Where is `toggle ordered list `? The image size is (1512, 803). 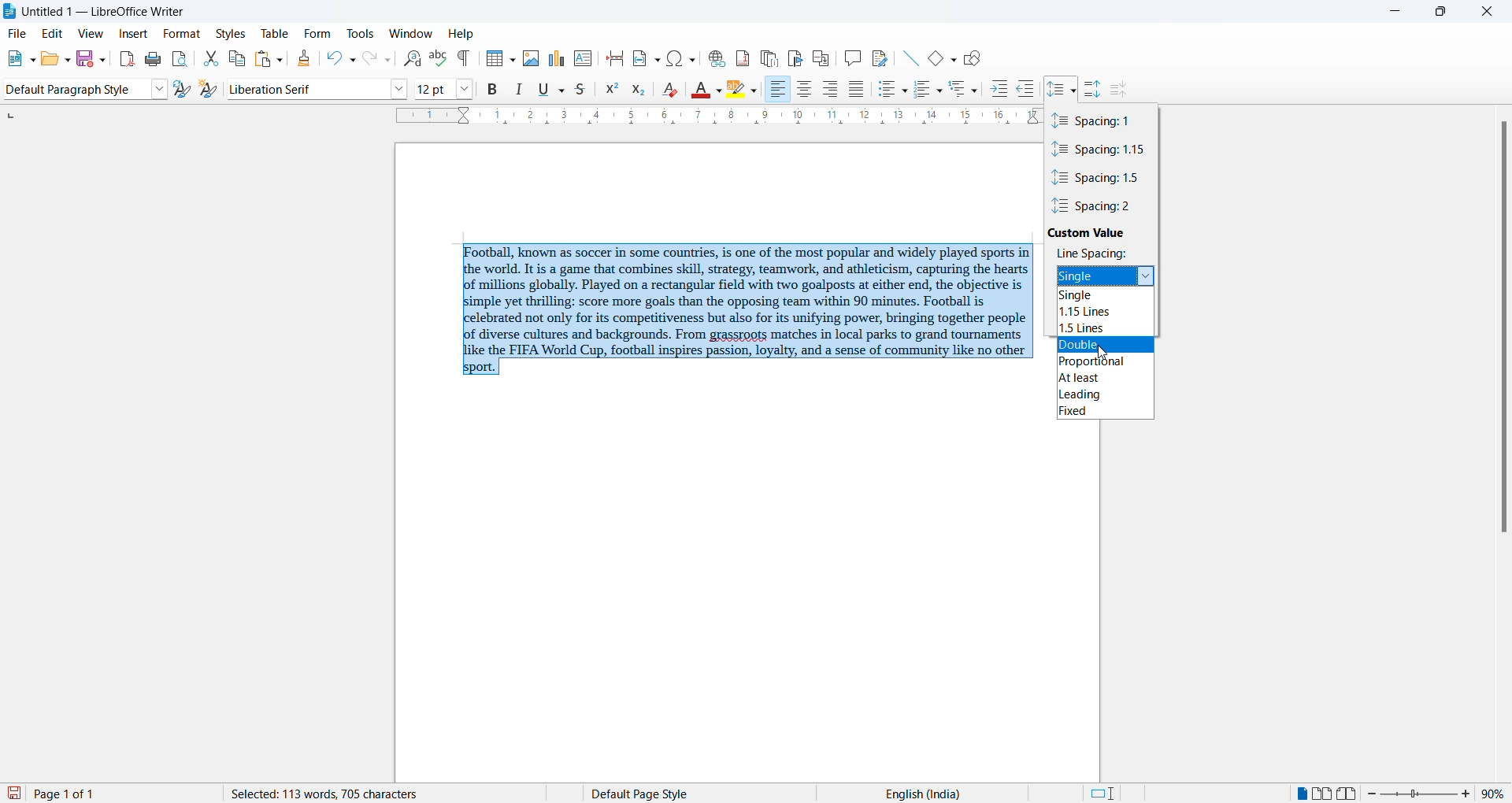
toggle ordered list  is located at coordinates (941, 91).